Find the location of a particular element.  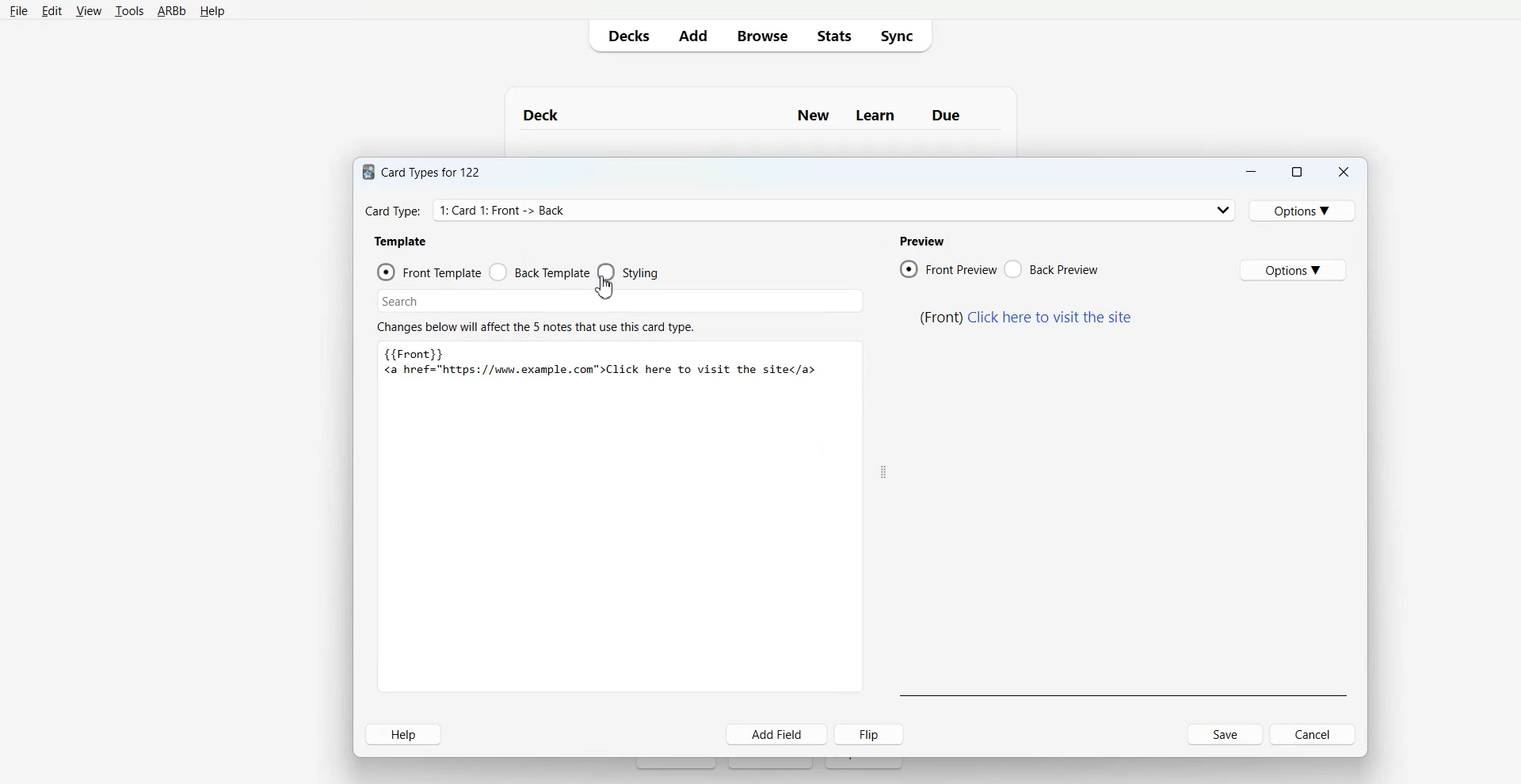

Card Type is located at coordinates (797, 211).